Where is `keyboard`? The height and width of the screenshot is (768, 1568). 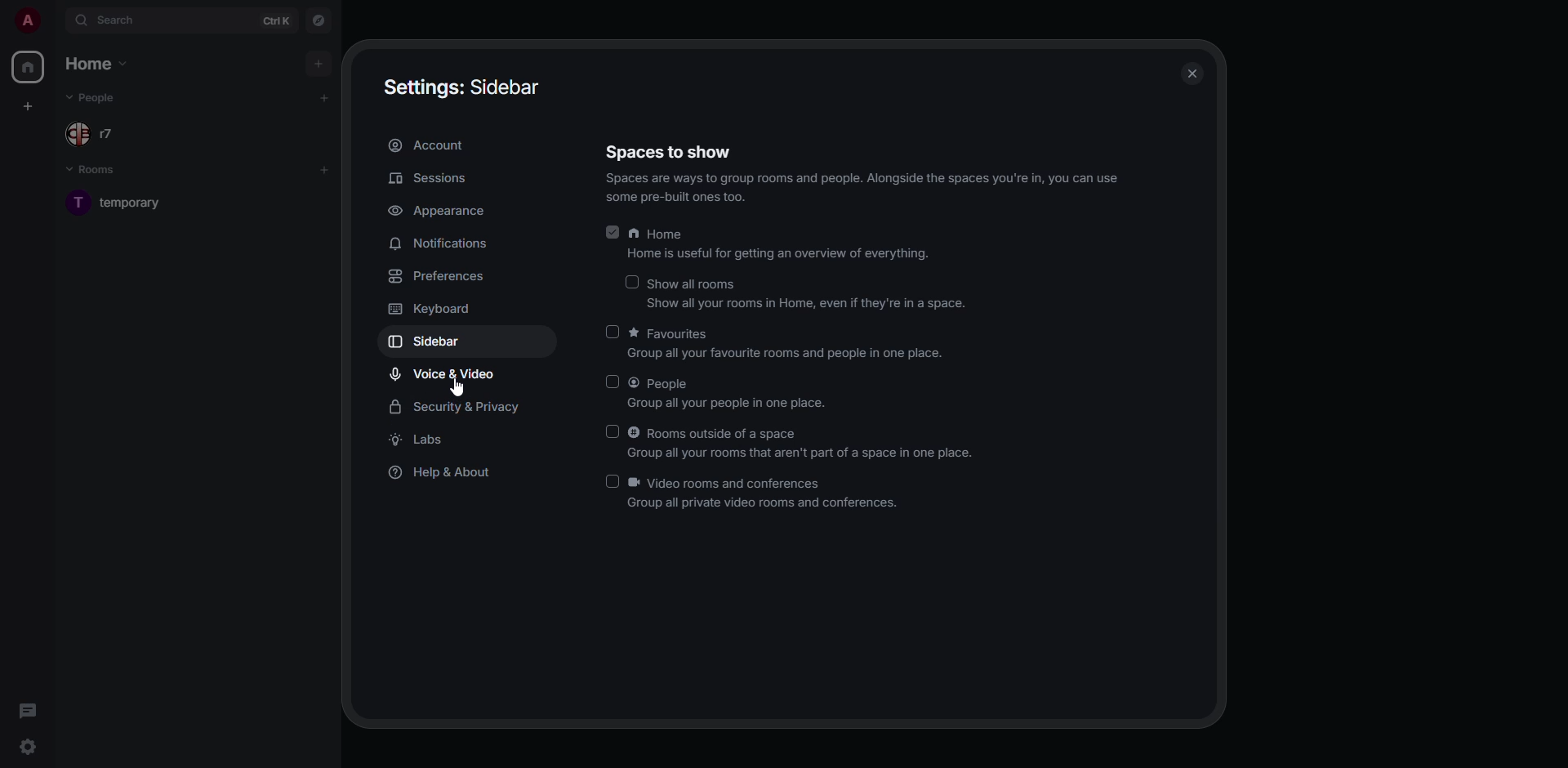 keyboard is located at coordinates (433, 310).